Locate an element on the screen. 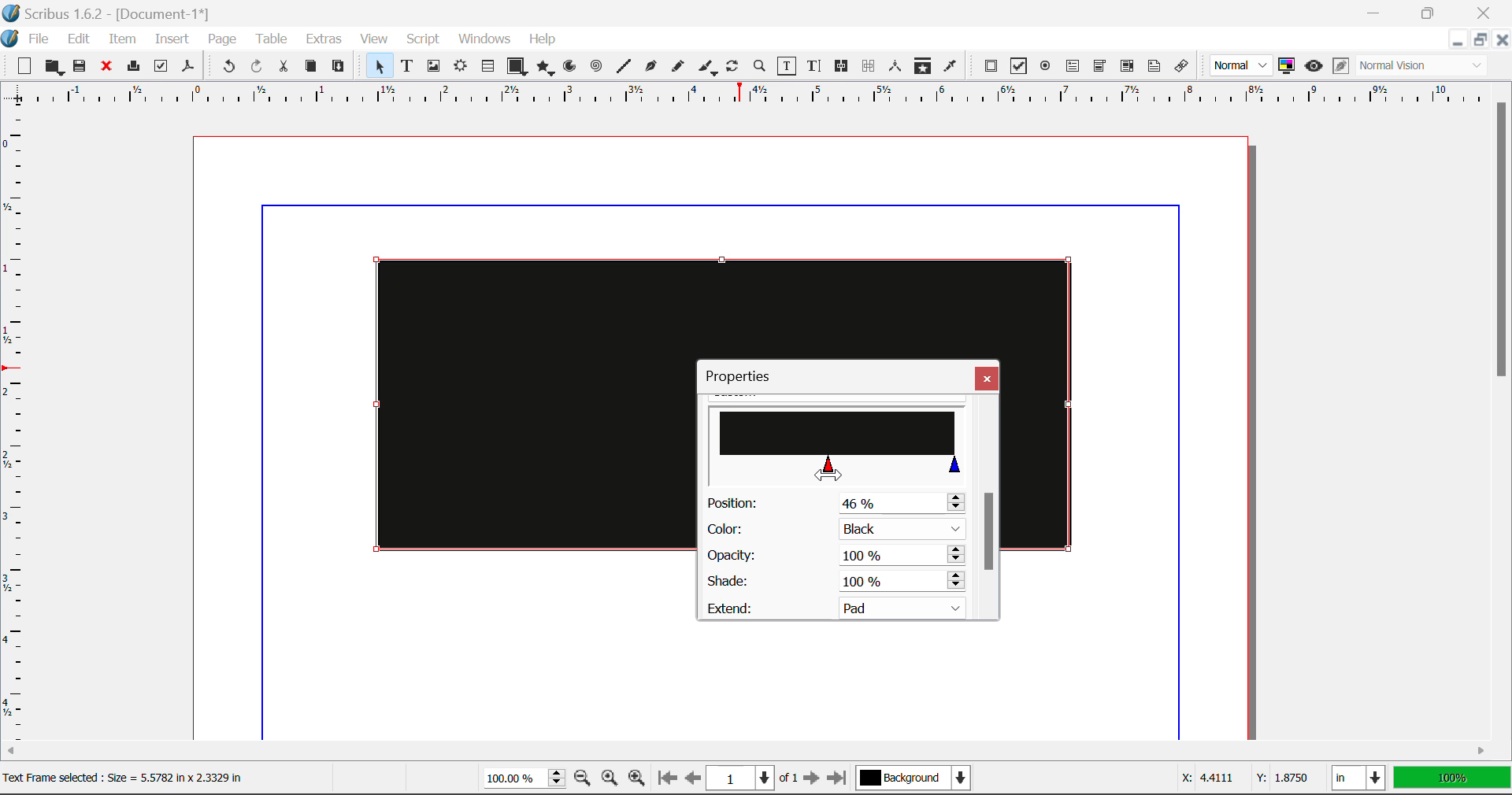 This screenshot has width=1512, height=795. Freehand is located at coordinates (679, 70).